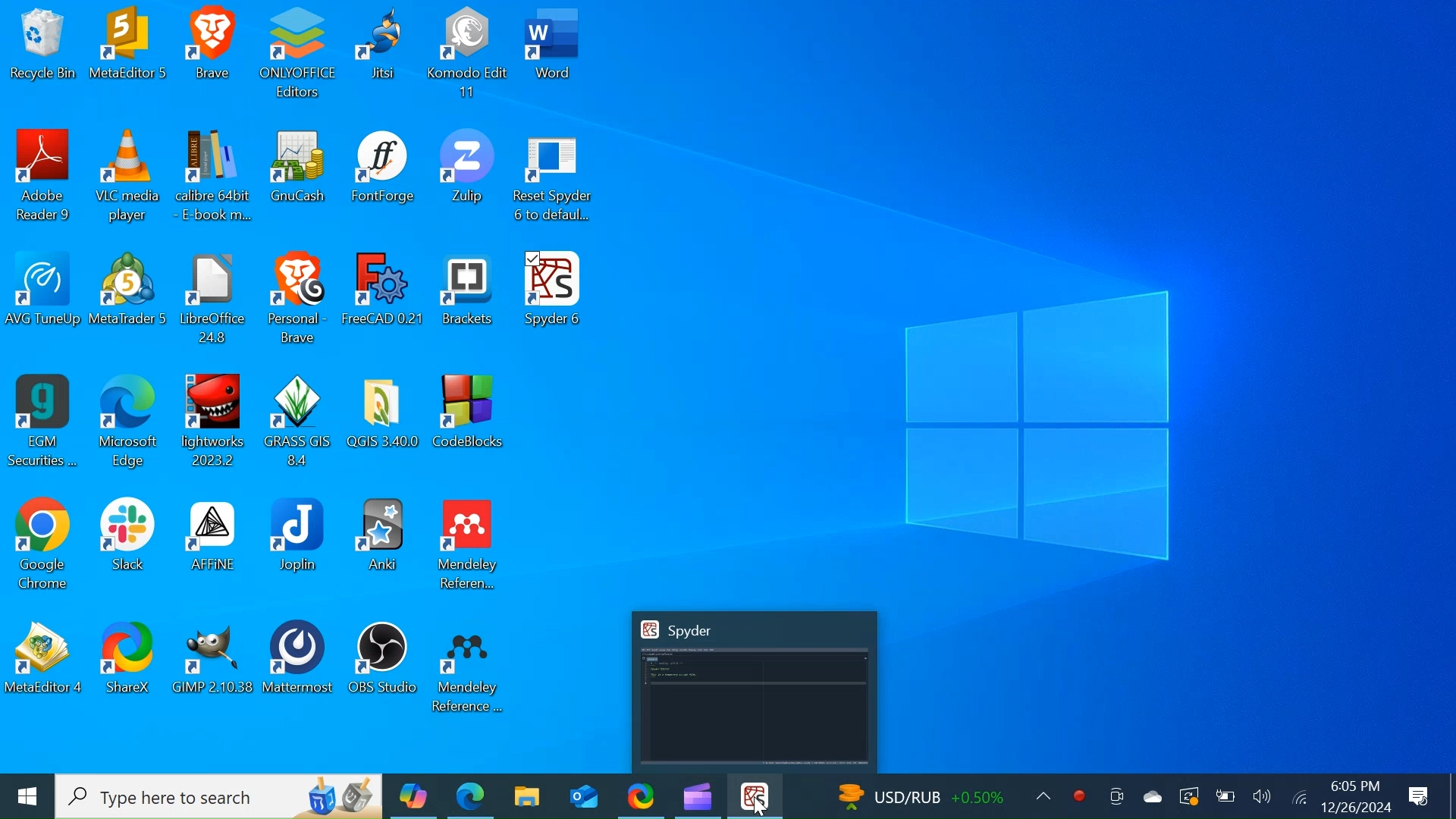  What do you see at coordinates (45, 664) in the screenshot?
I see `Meta Desktop Icon` at bounding box center [45, 664].